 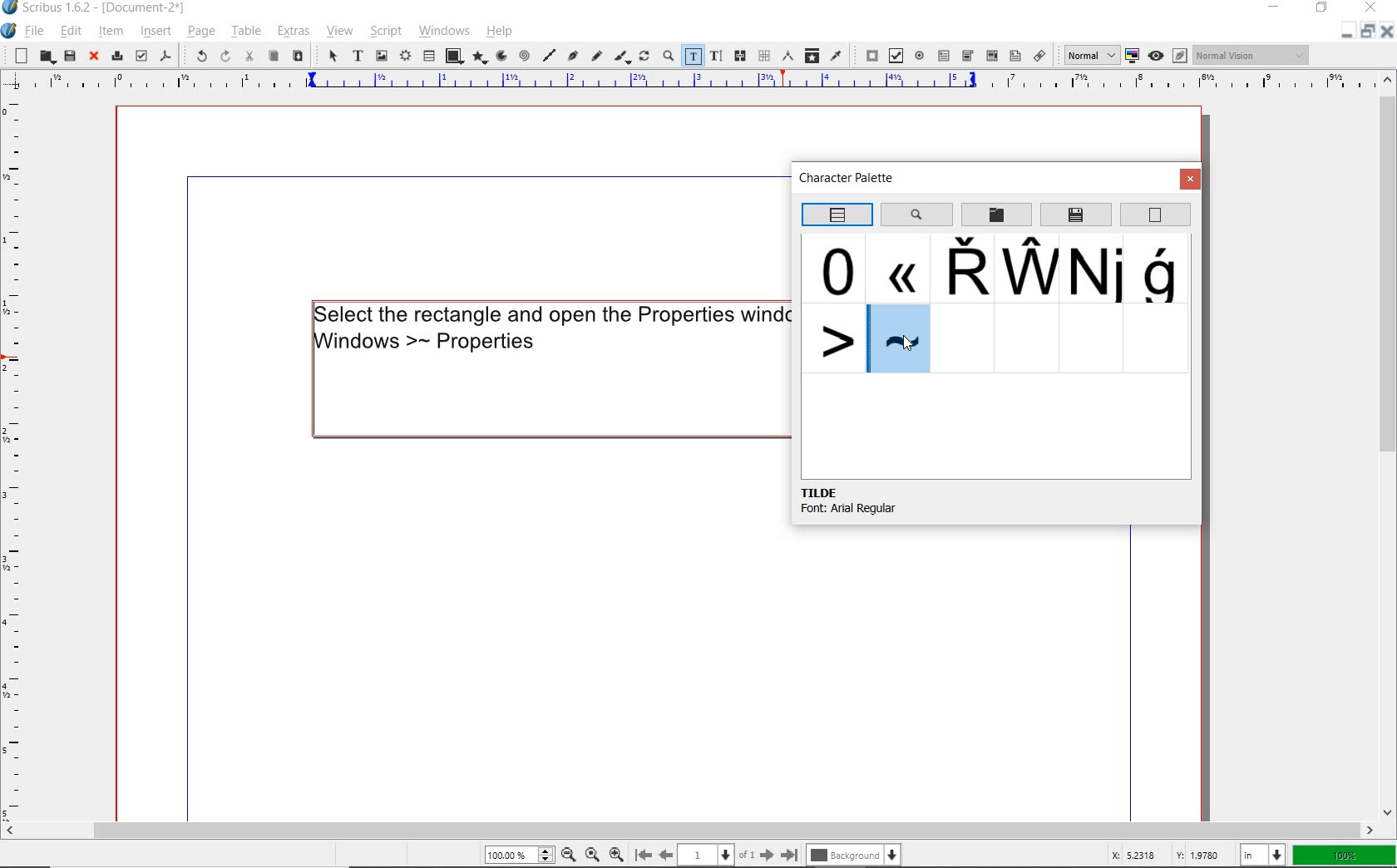 I want to click on line, so click(x=550, y=55).